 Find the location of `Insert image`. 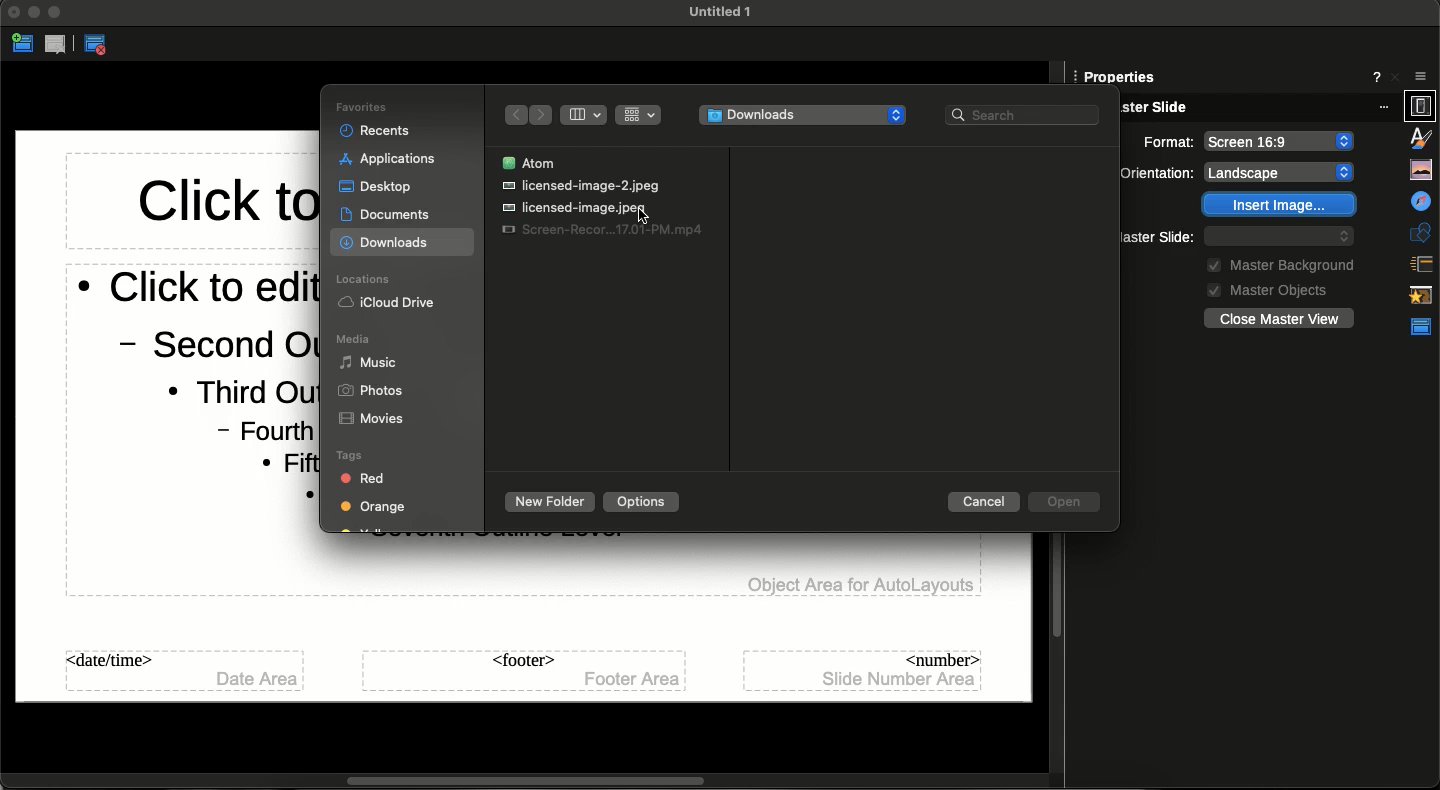

Insert image is located at coordinates (1280, 205).